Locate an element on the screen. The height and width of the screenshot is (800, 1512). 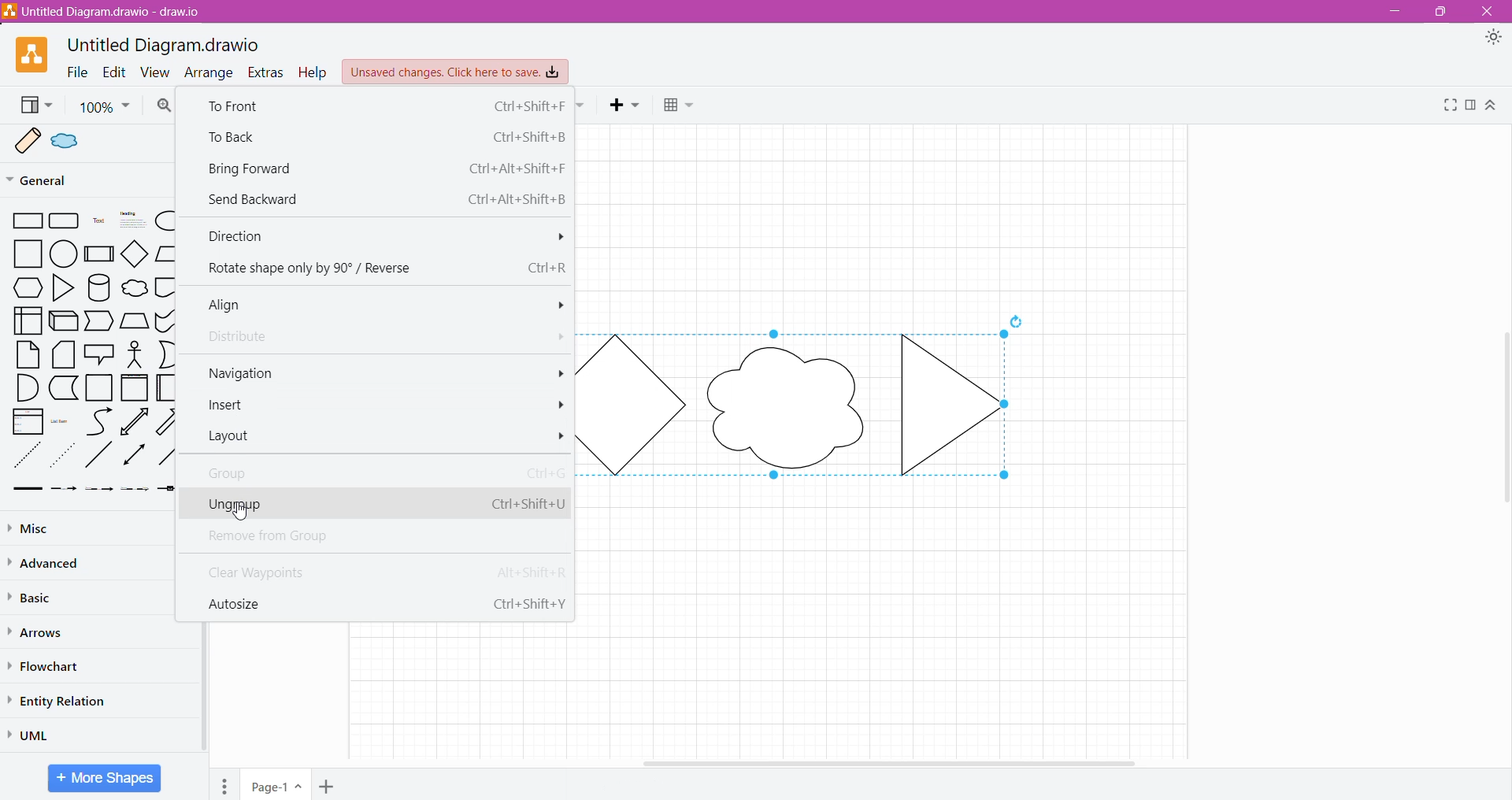
Help is located at coordinates (313, 72).